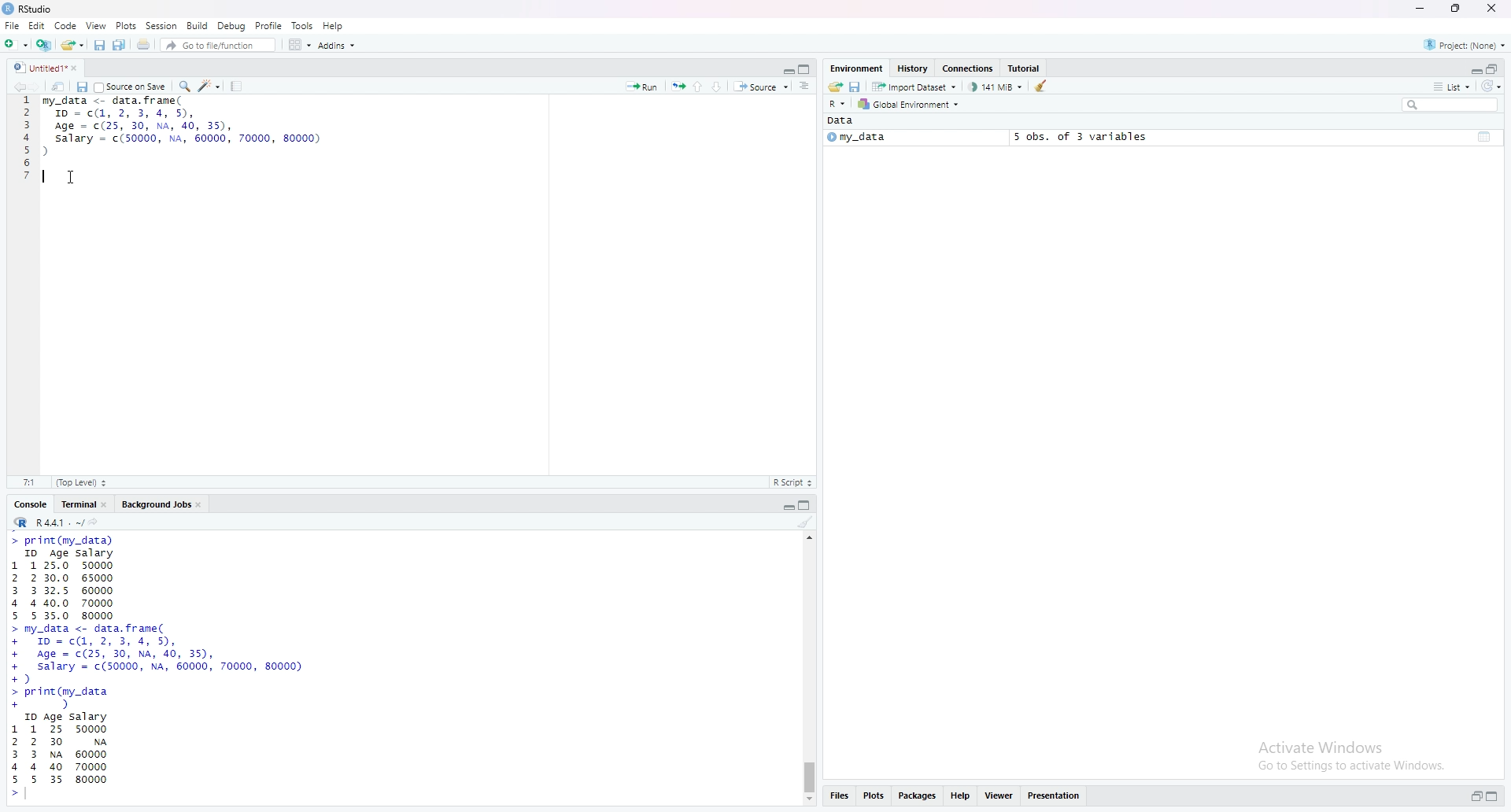 The width and height of the screenshot is (1511, 812). Describe the element at coordinates (97, 522) in the screenshot. I see `view the current working directory` at that location.